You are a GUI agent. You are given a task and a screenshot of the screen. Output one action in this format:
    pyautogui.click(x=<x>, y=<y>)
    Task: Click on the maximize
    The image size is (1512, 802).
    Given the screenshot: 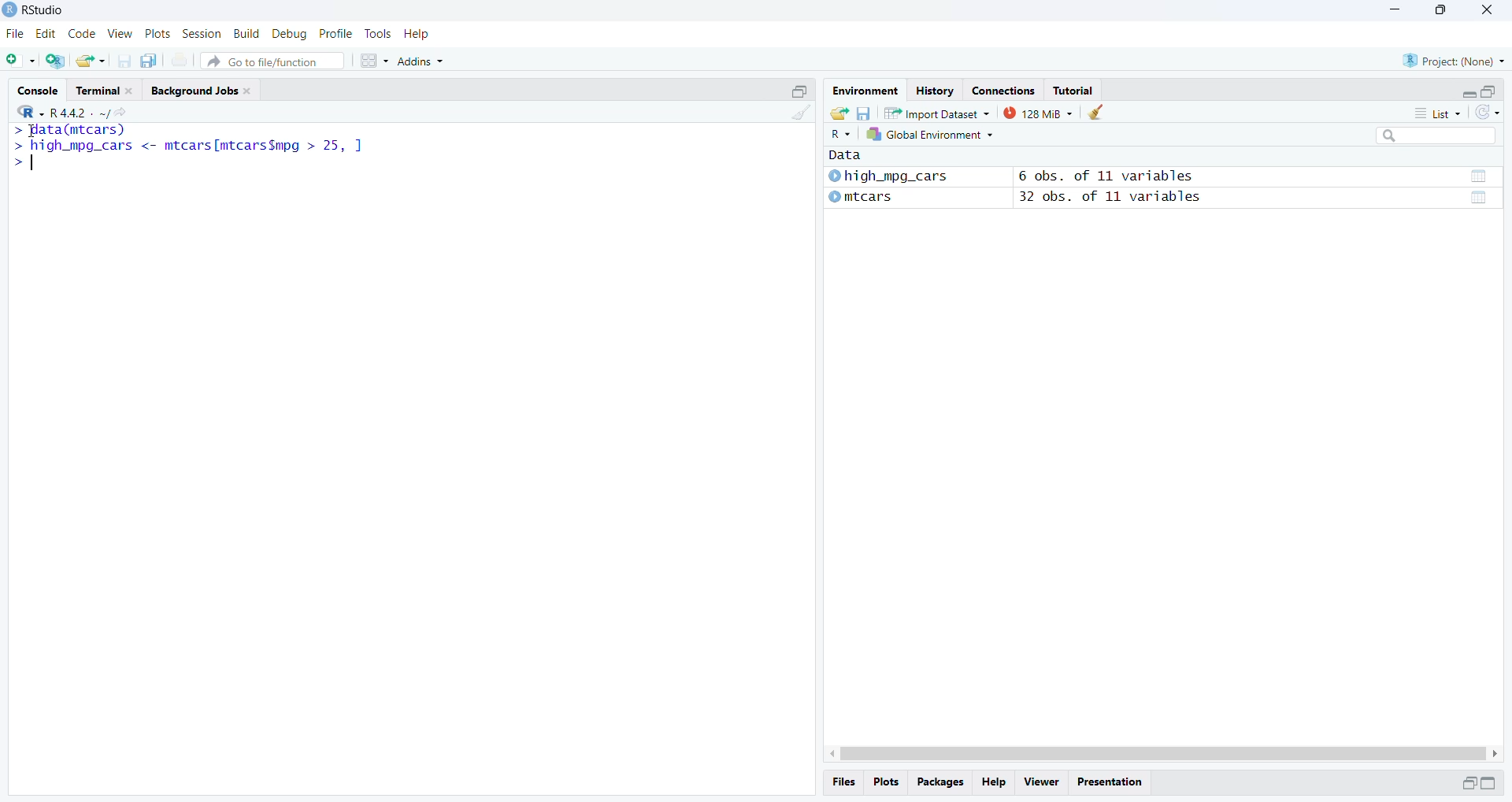 What is the action you would take?
    pyautogui.click(x=1489, y=92)
    